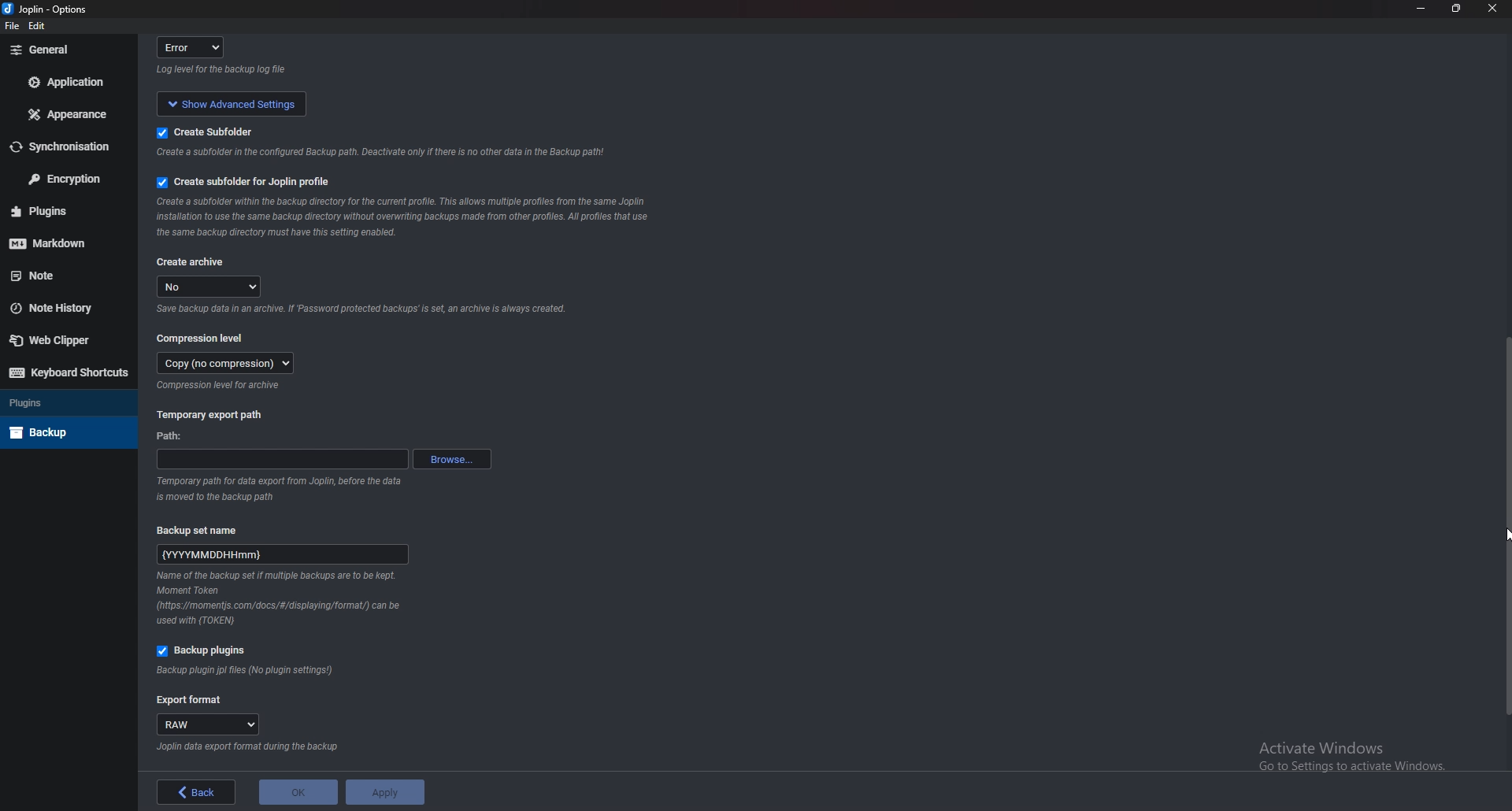 The width and height of the screenshot is (1512, 811). What do you see at coordinates (207, 651) in the screenshot?
I see `Backup plugins` at bounding box center [207, 651].